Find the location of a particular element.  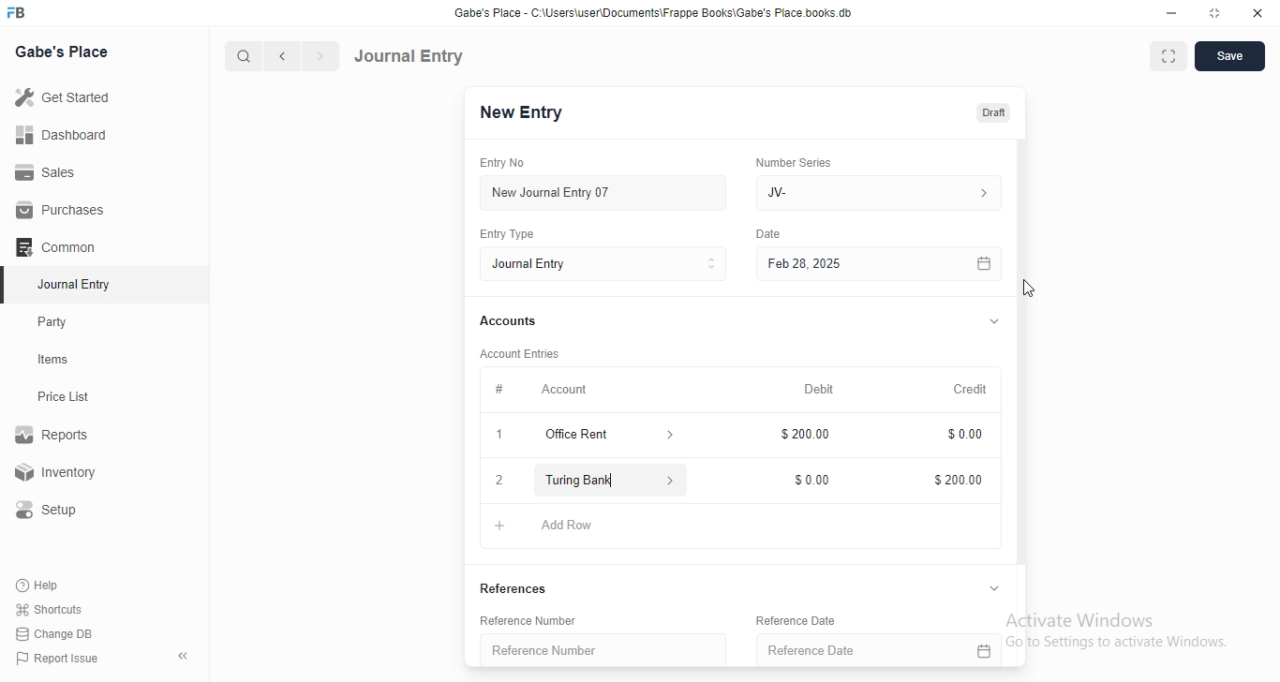

backward is located at coordinates (281, 56).